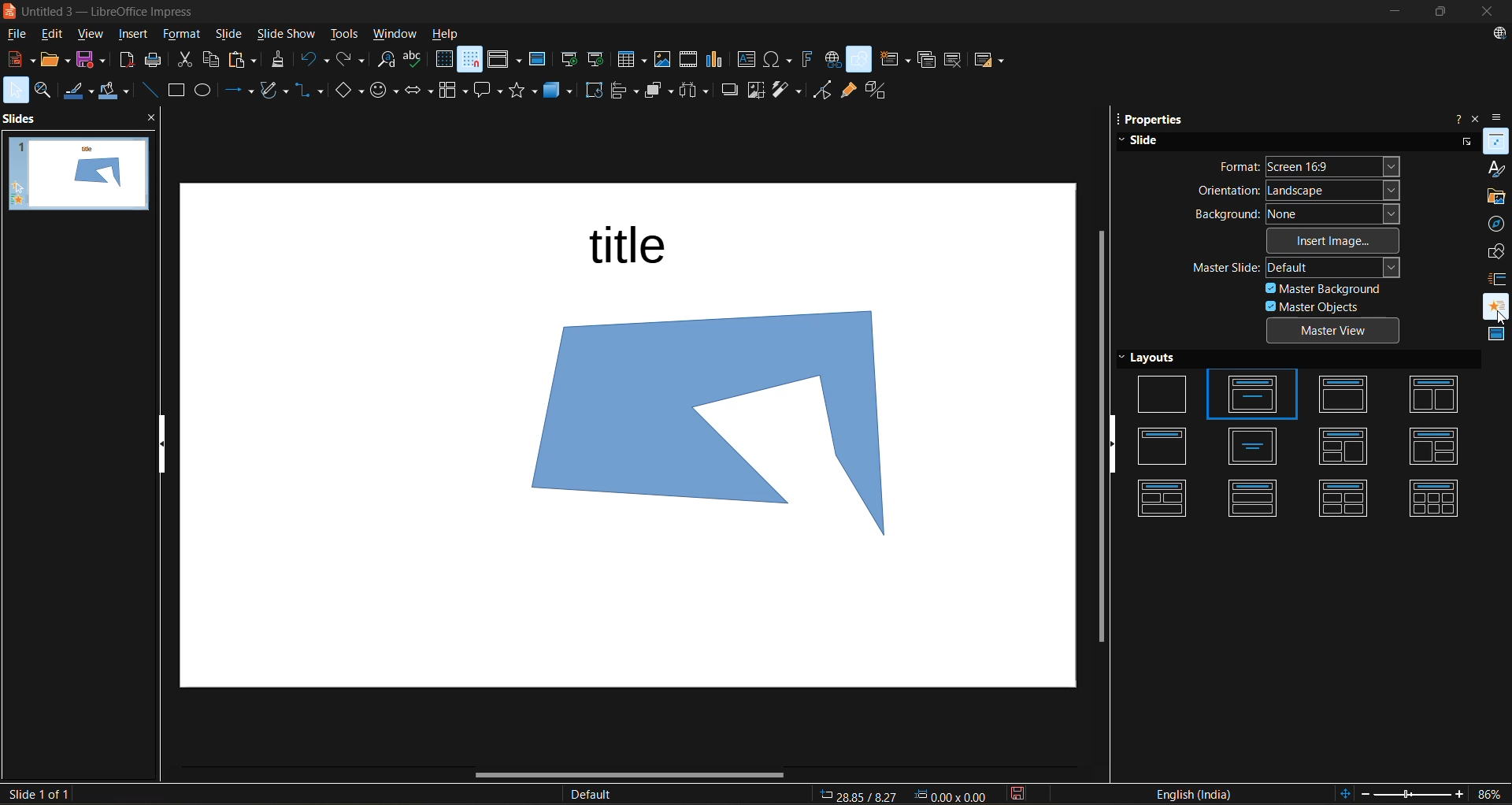 This screenshot has height=805, width=1512. I want to click on view, so click(91, 36).